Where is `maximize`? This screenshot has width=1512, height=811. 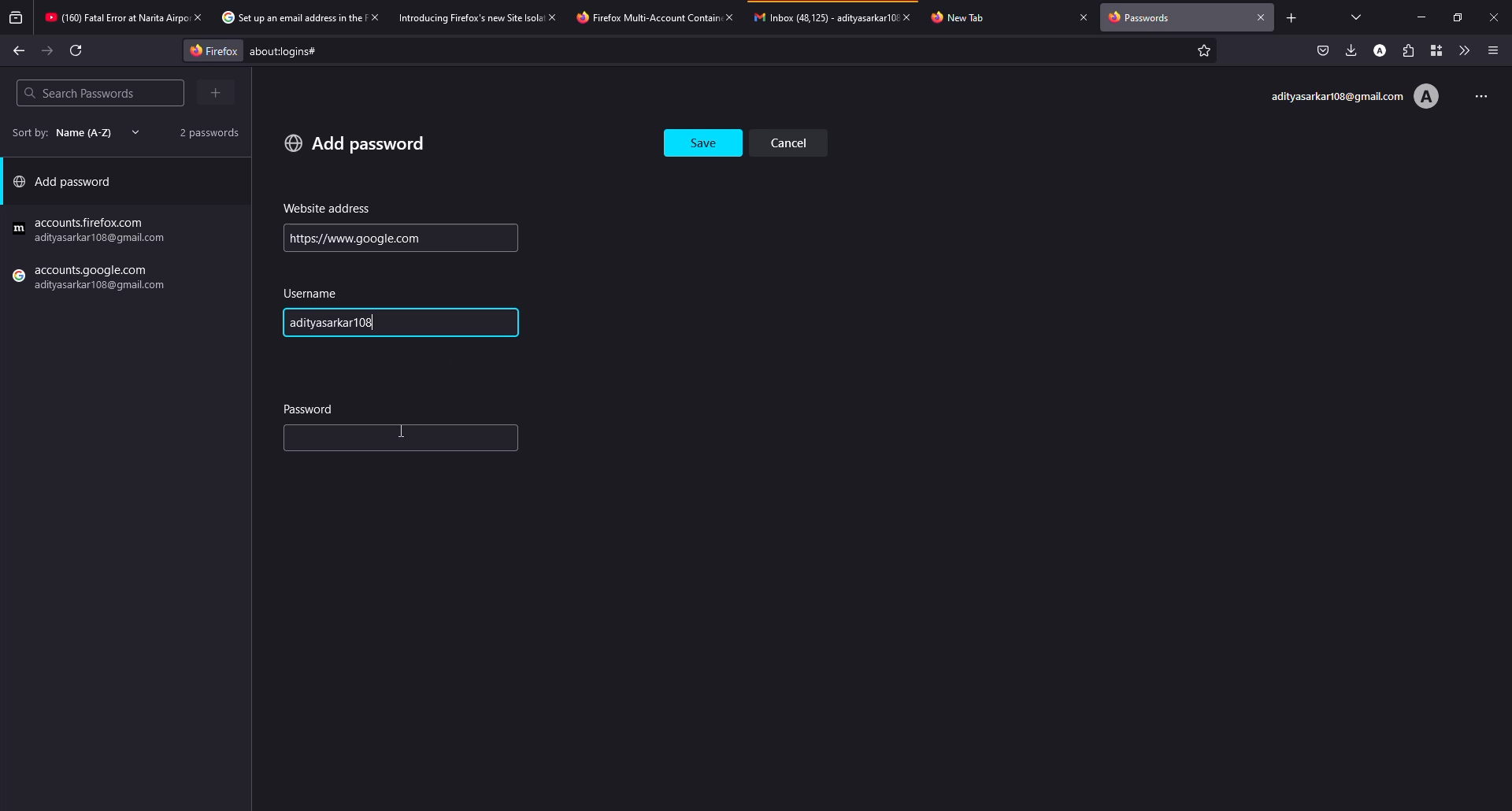
maximize is located at coordinates (1454, 17).